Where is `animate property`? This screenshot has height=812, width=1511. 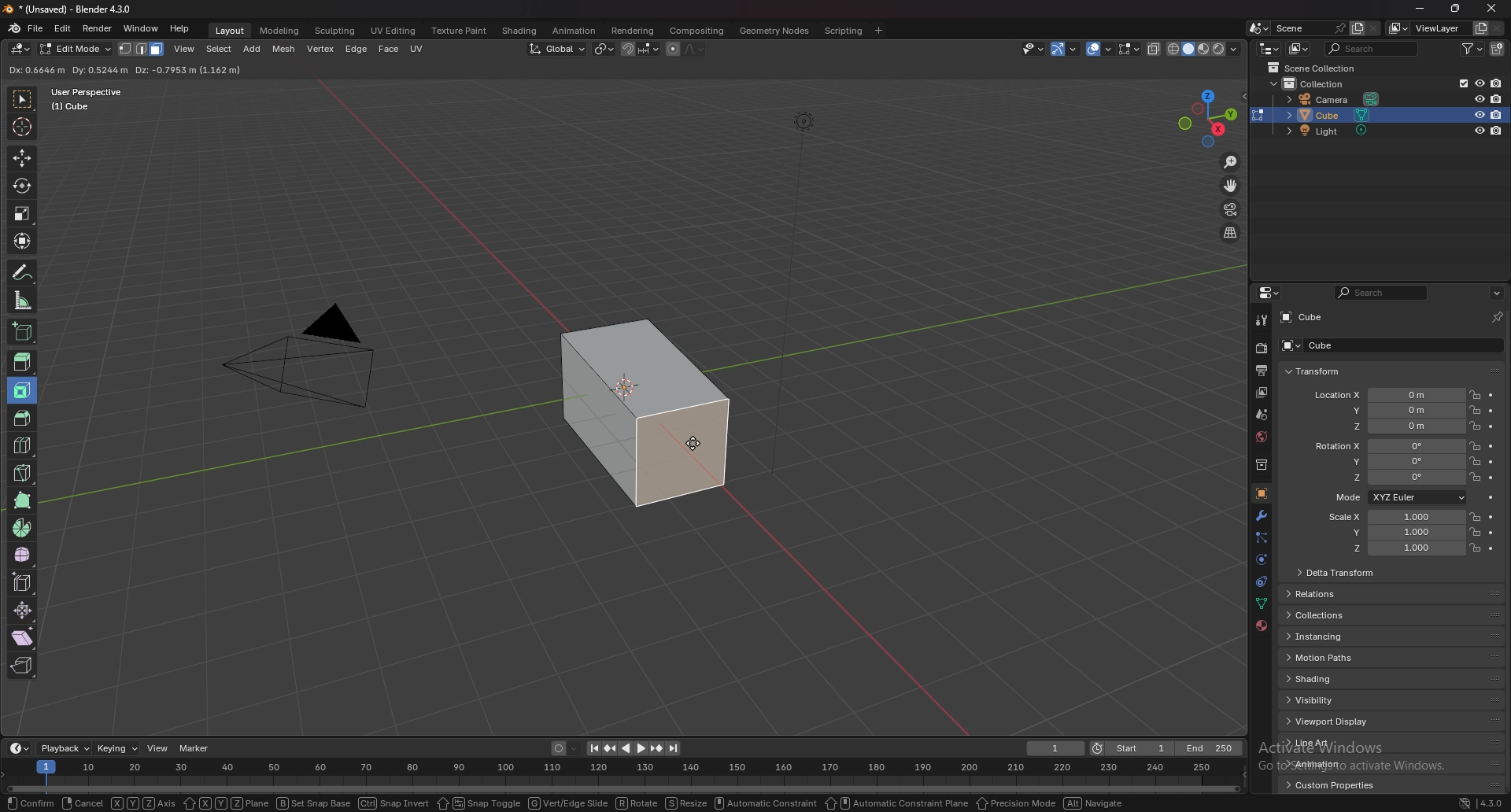
animate property is located at coordinates (1491, 533).